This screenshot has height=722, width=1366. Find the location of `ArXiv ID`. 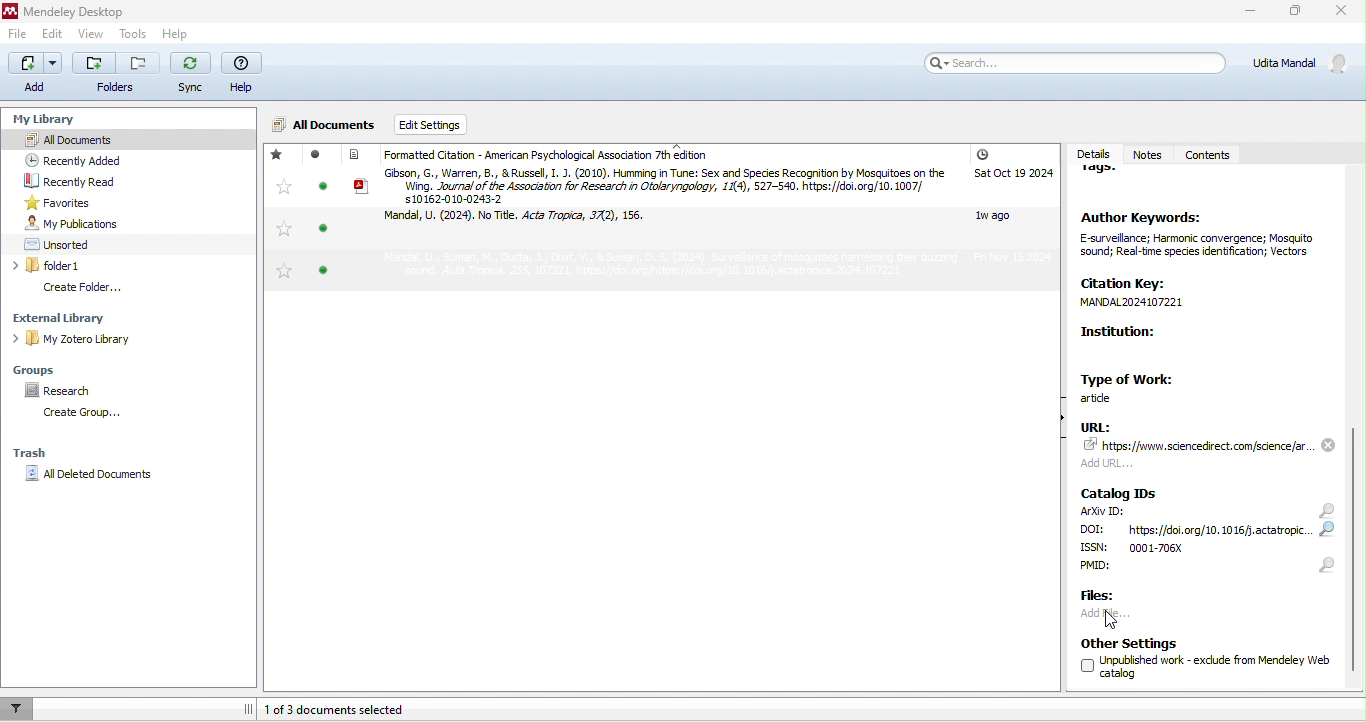

ArXiv ID is located at coordinates (1102, 512).